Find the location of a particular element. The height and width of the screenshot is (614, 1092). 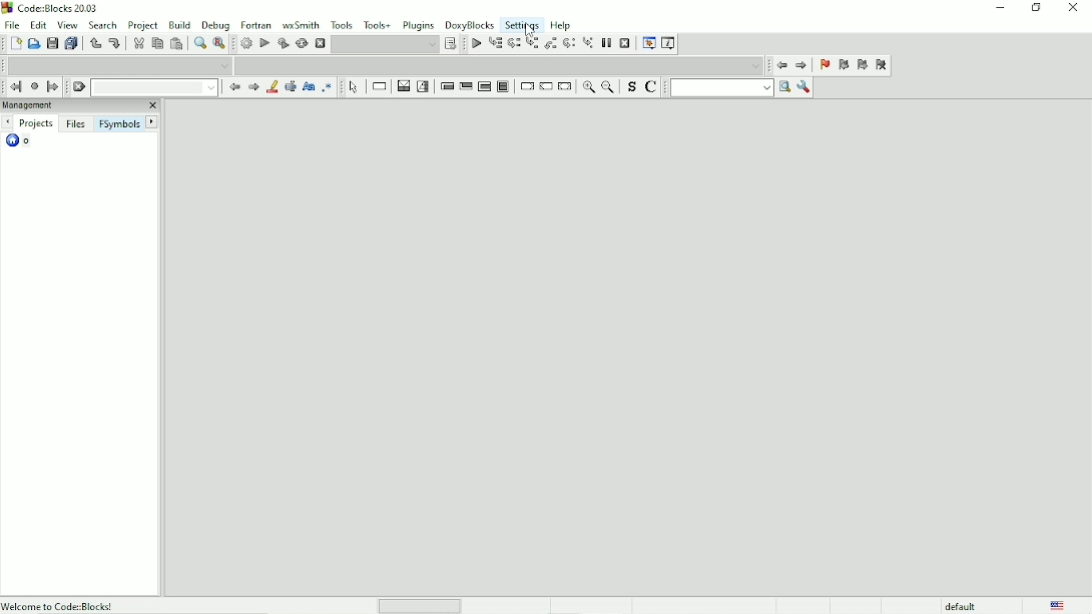

search is located at coordinates (785, 87).